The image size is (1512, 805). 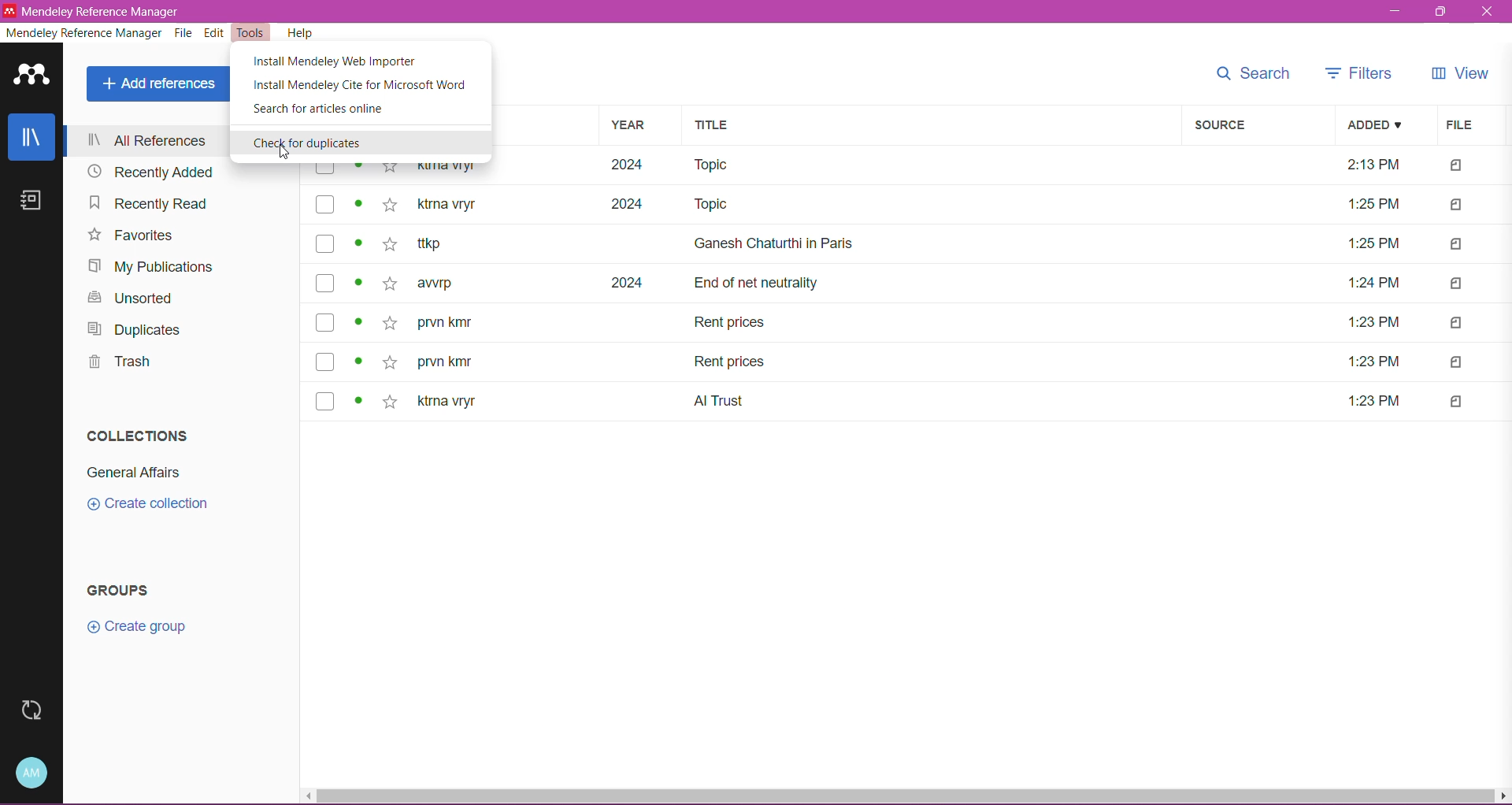 I want to click on file, so click(x=1456, y=246).